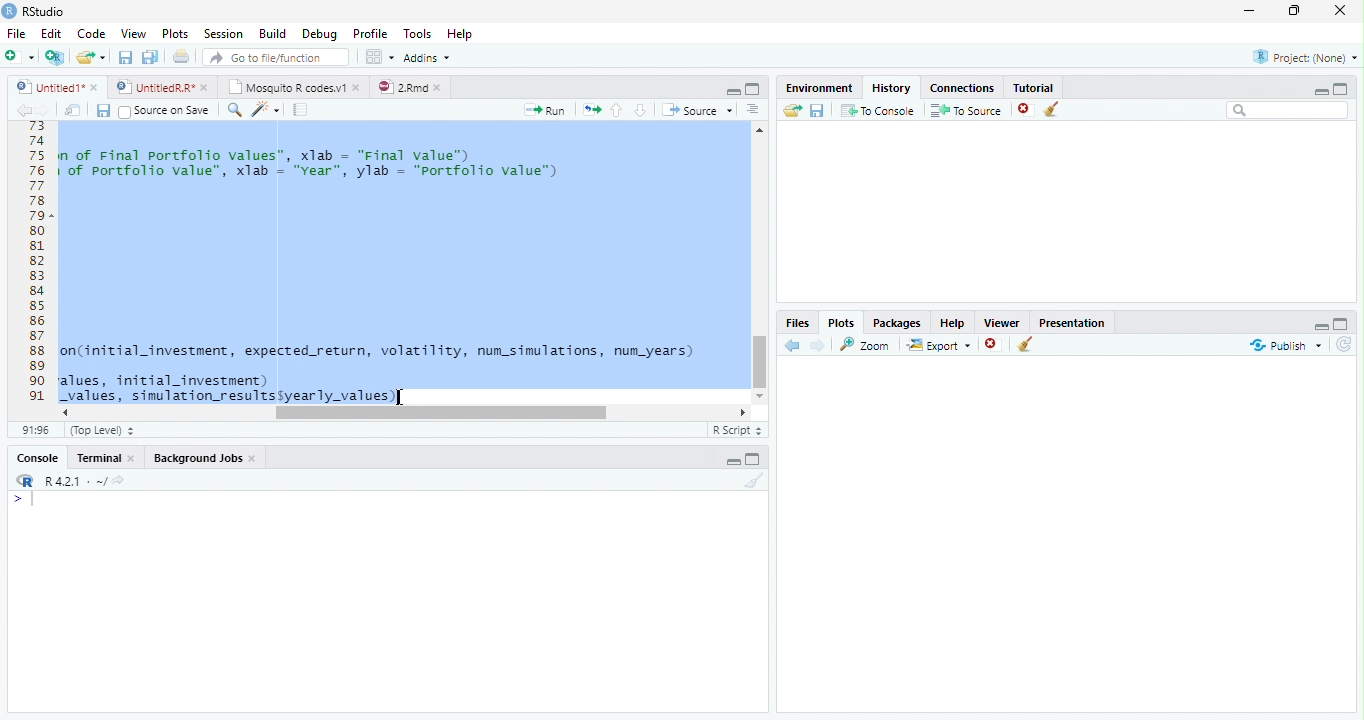  I want to click on Background Jobs., so click(206, 457).